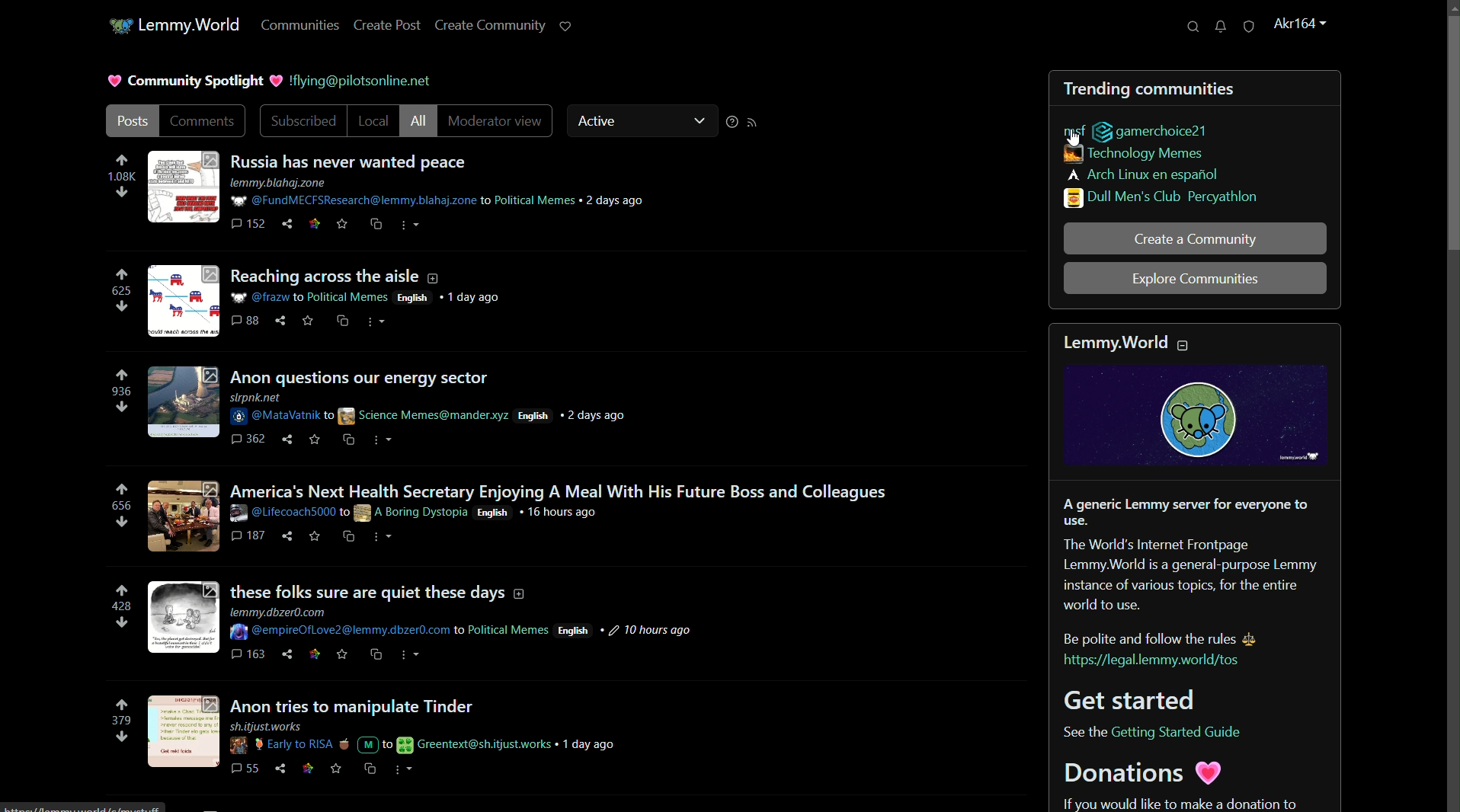 This screenshot has height=812, width=1460. What do you see at coordinates (342, 319) in the screenshot?
I see `cs` at bounding box center [342, 319].